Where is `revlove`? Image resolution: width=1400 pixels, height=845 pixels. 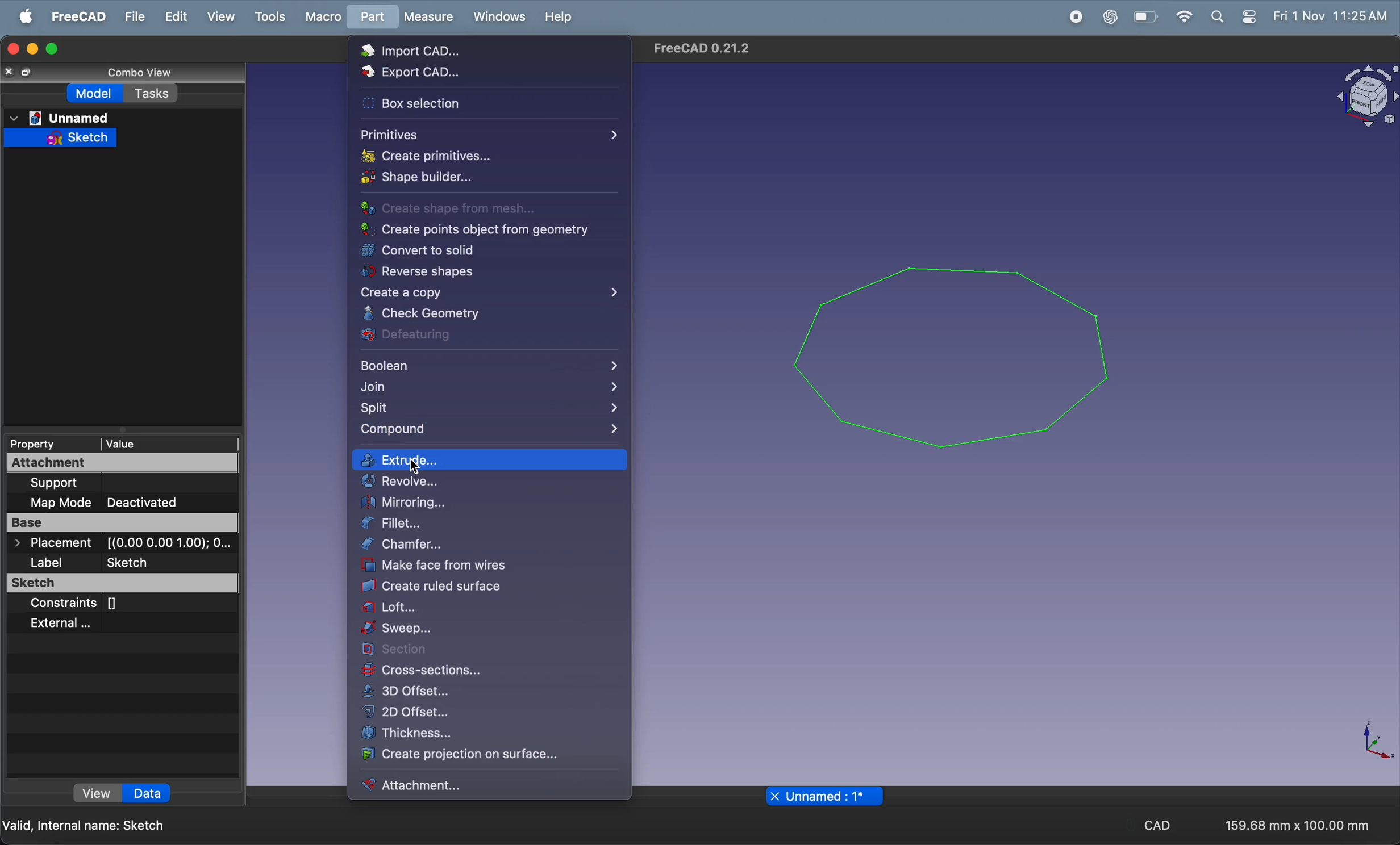
revlove is located at coordinates (494, 483).